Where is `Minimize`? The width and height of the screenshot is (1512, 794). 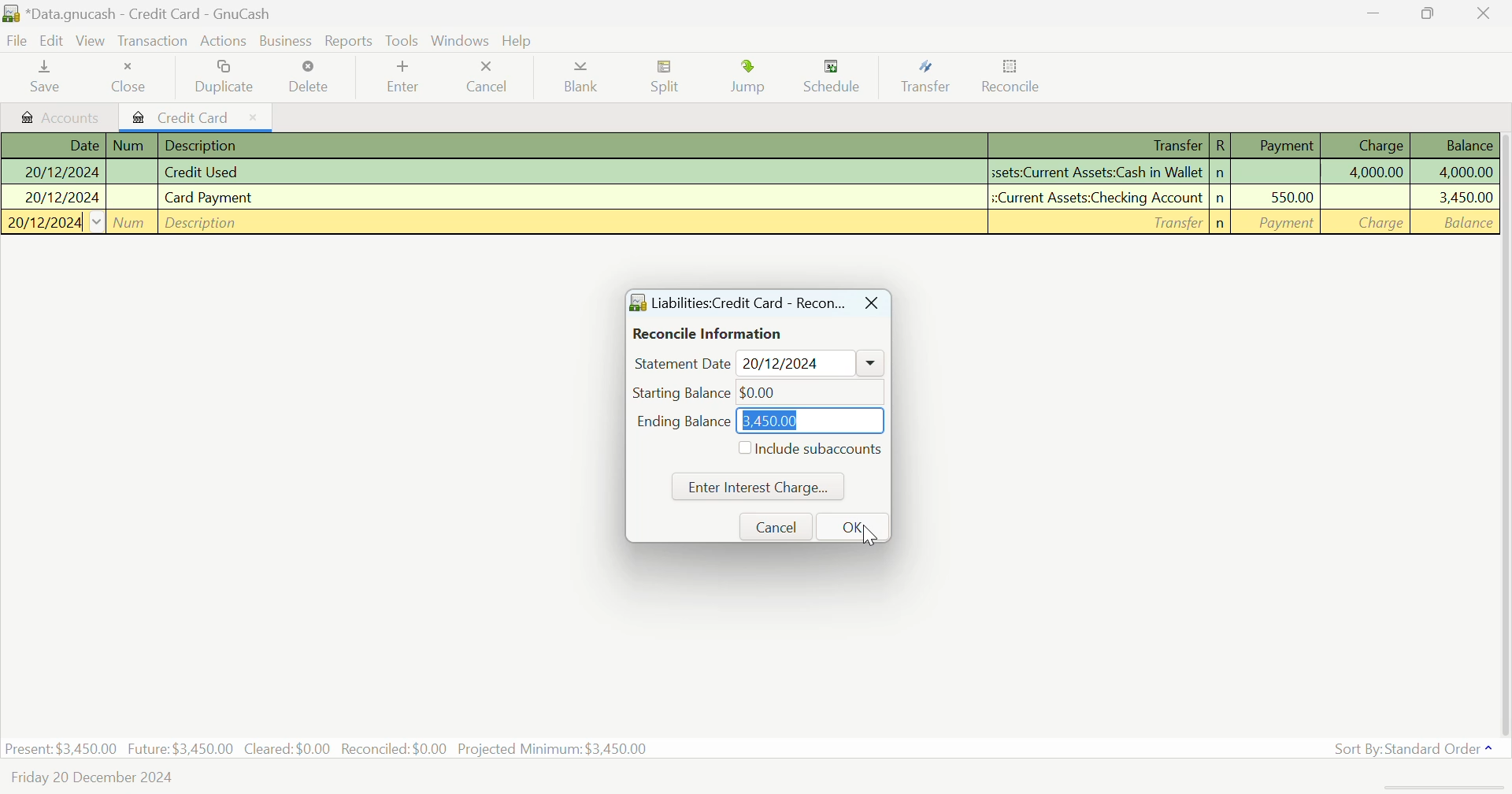
Minimize is located at coordinates (1428, 14).